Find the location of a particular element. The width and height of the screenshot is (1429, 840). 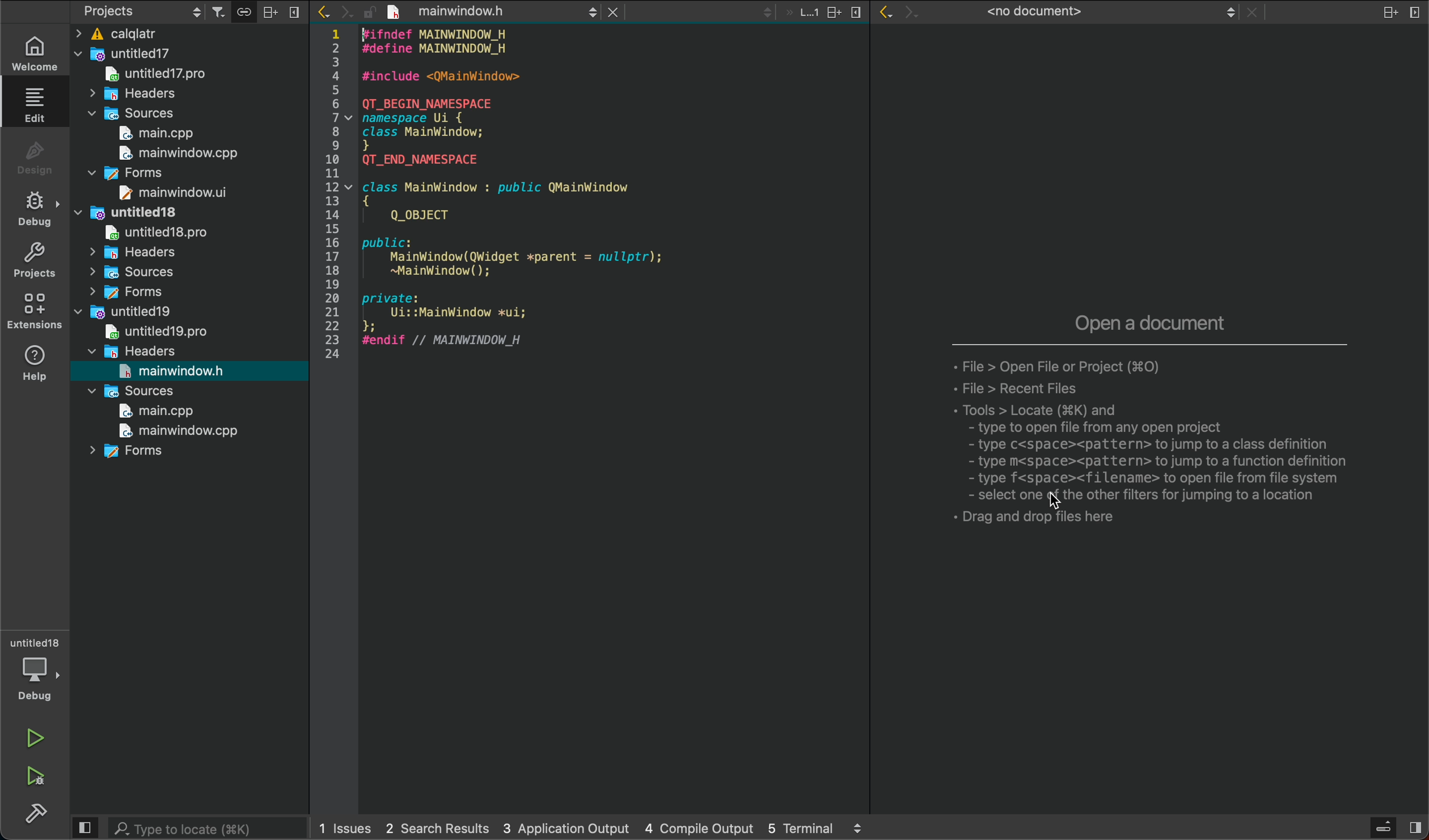

debug is located at coordinates (40, 680).